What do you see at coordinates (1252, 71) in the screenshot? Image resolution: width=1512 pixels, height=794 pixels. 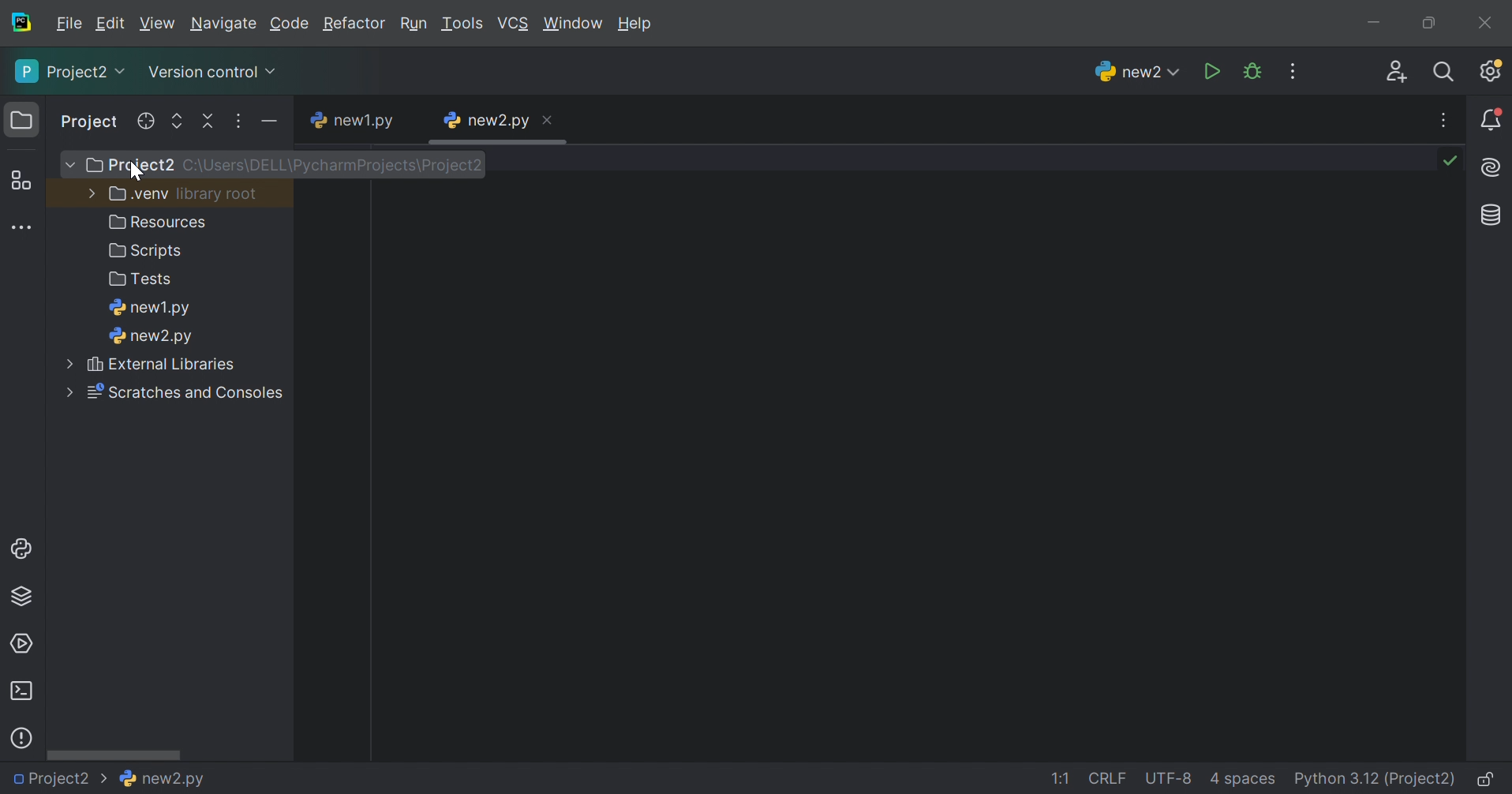 I see `Debug` at bounding box center [1252, 71].